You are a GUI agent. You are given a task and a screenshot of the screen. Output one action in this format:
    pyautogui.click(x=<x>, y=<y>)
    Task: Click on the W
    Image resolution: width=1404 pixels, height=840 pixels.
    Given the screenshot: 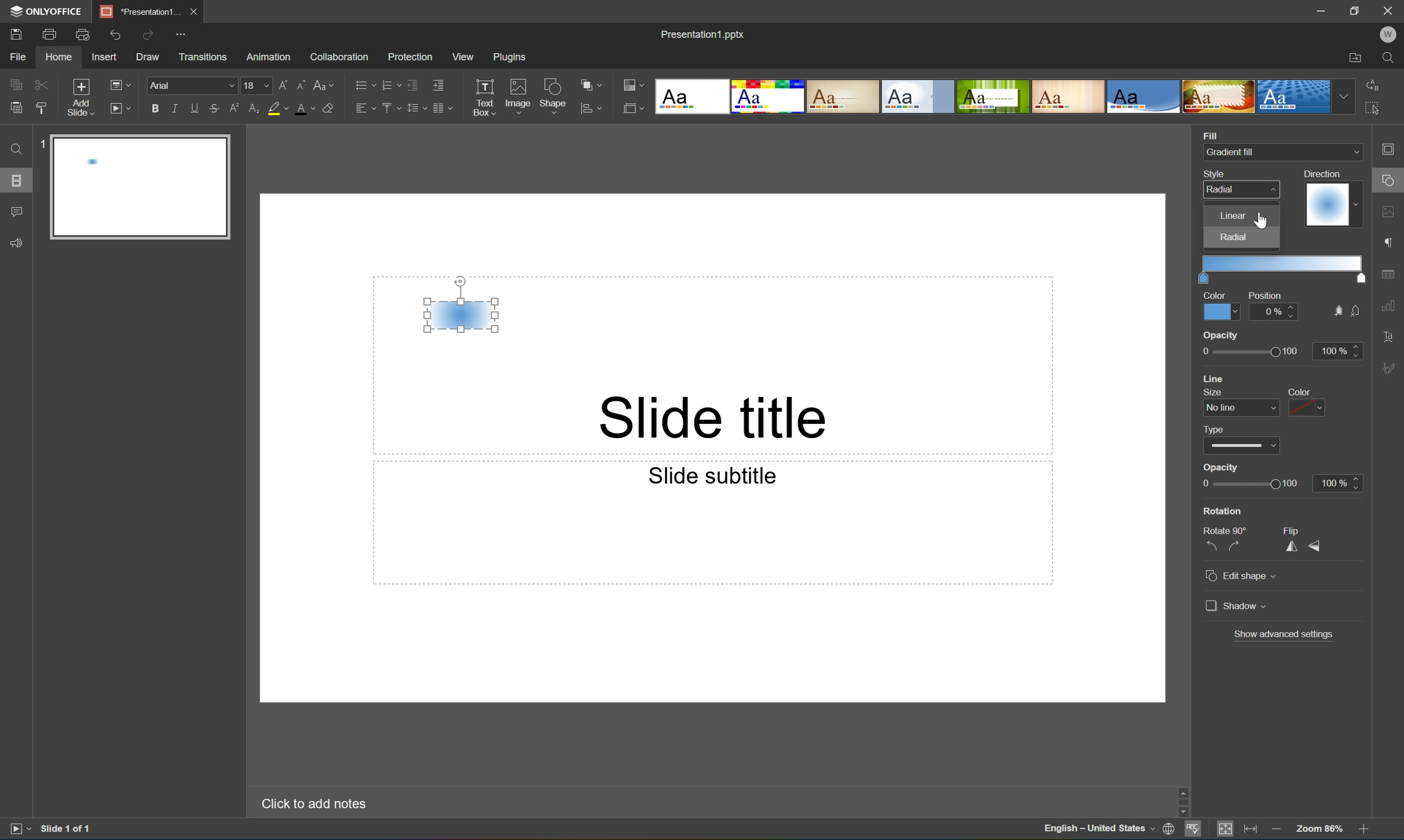 What is the action you would take?
    pyautogui.click(x=1390, y=35)
    